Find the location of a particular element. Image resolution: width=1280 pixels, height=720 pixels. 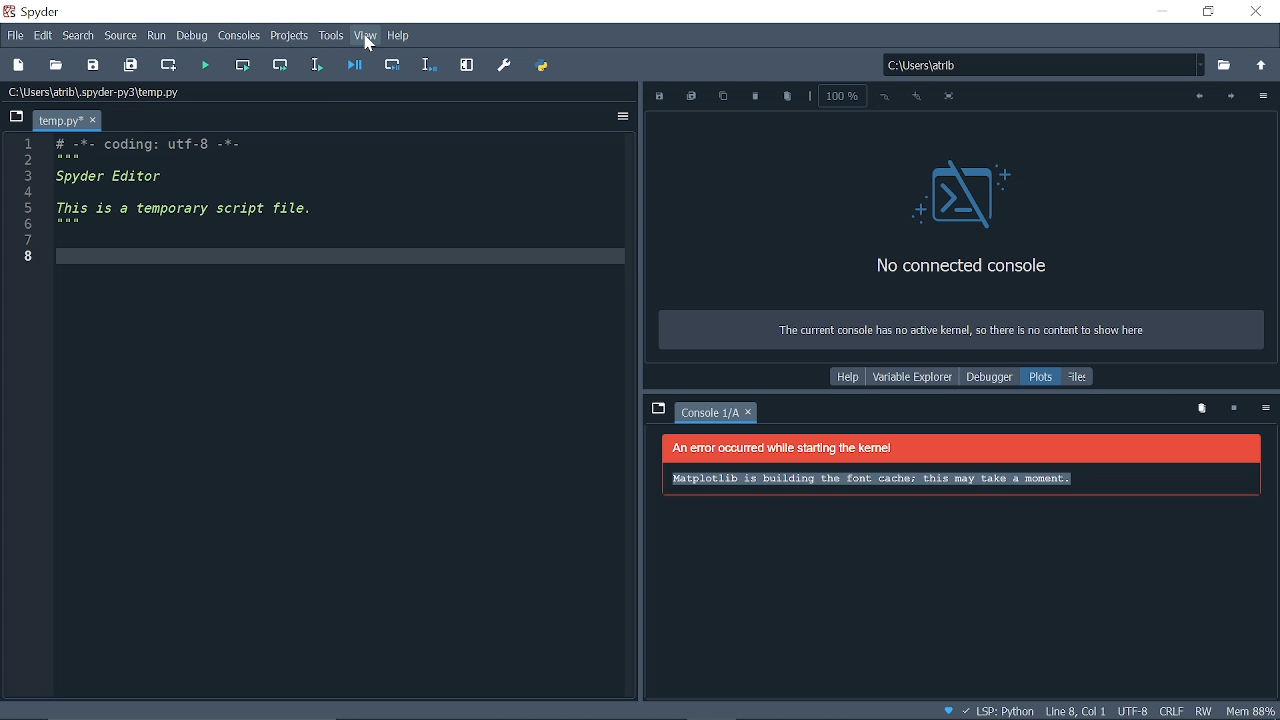

Space for displaying plots is located at coordinates (962, 523).